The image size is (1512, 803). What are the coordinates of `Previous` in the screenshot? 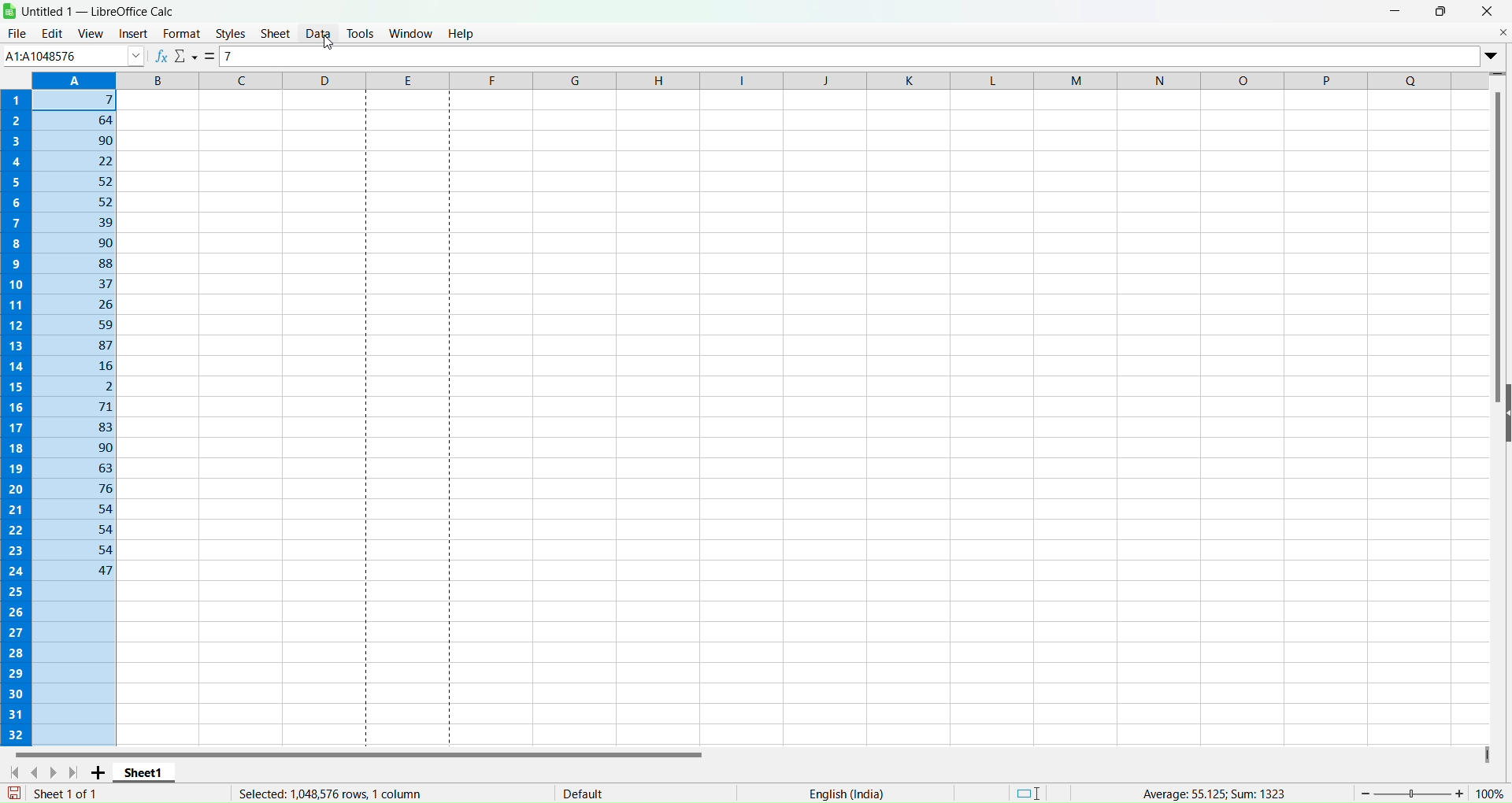 It's located at (39, 771).